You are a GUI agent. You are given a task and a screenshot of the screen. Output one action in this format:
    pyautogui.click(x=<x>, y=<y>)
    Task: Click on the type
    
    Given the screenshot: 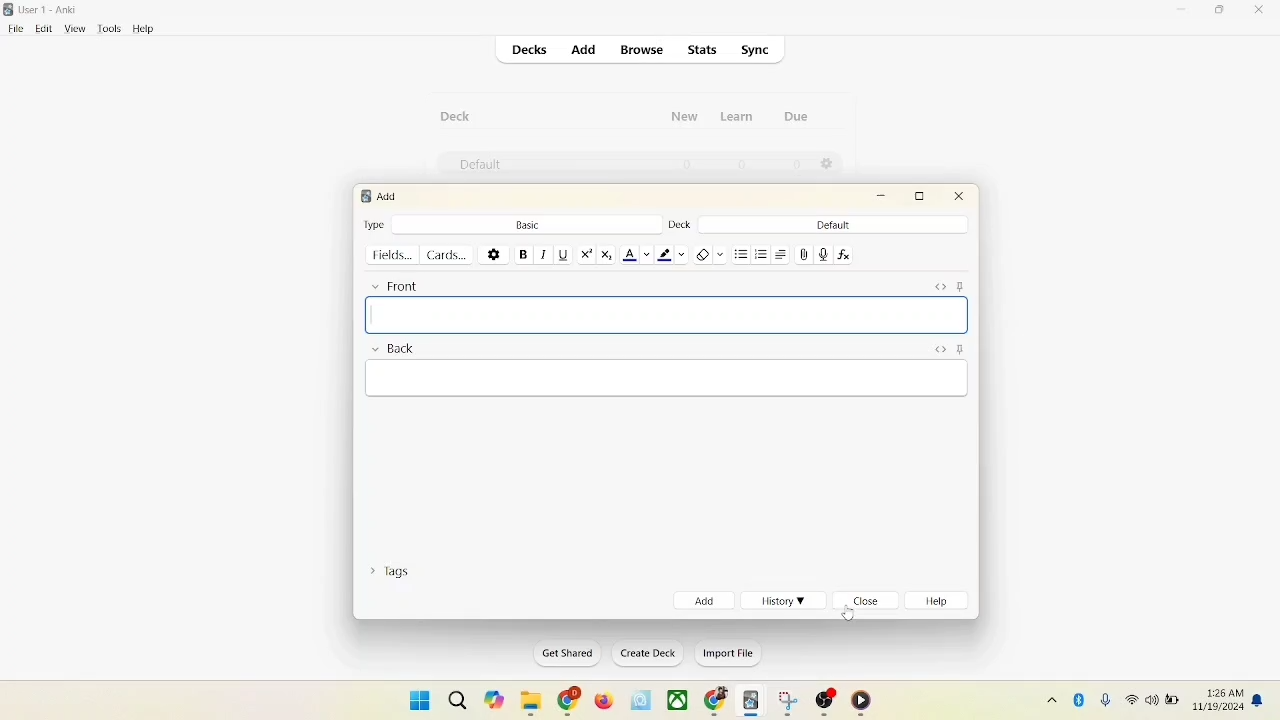 What is the action you would take?
    pyautogui.click(x=375, y=224)
    